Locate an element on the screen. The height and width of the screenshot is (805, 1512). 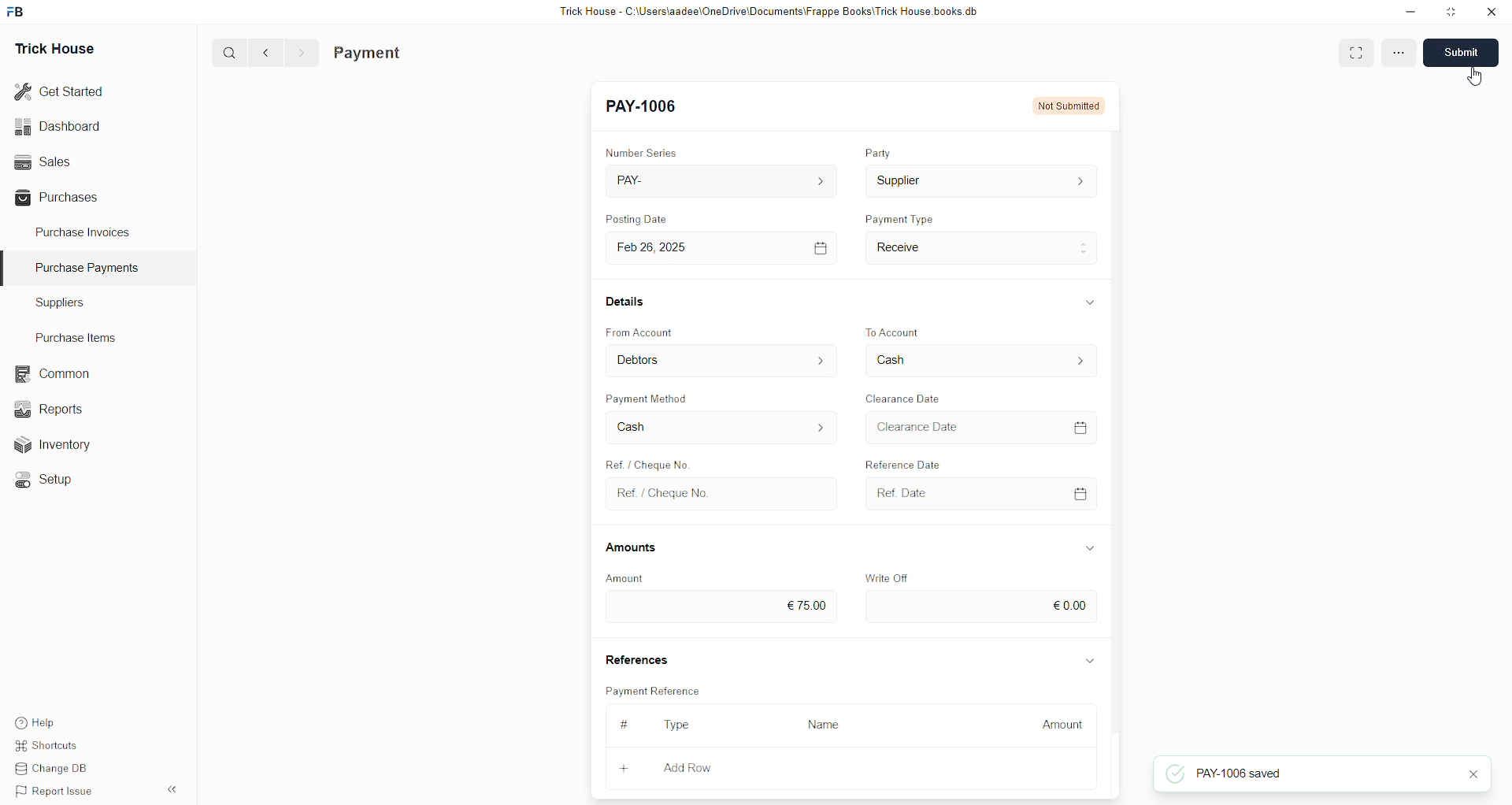
Amount is located at coordinates (1063, 725).